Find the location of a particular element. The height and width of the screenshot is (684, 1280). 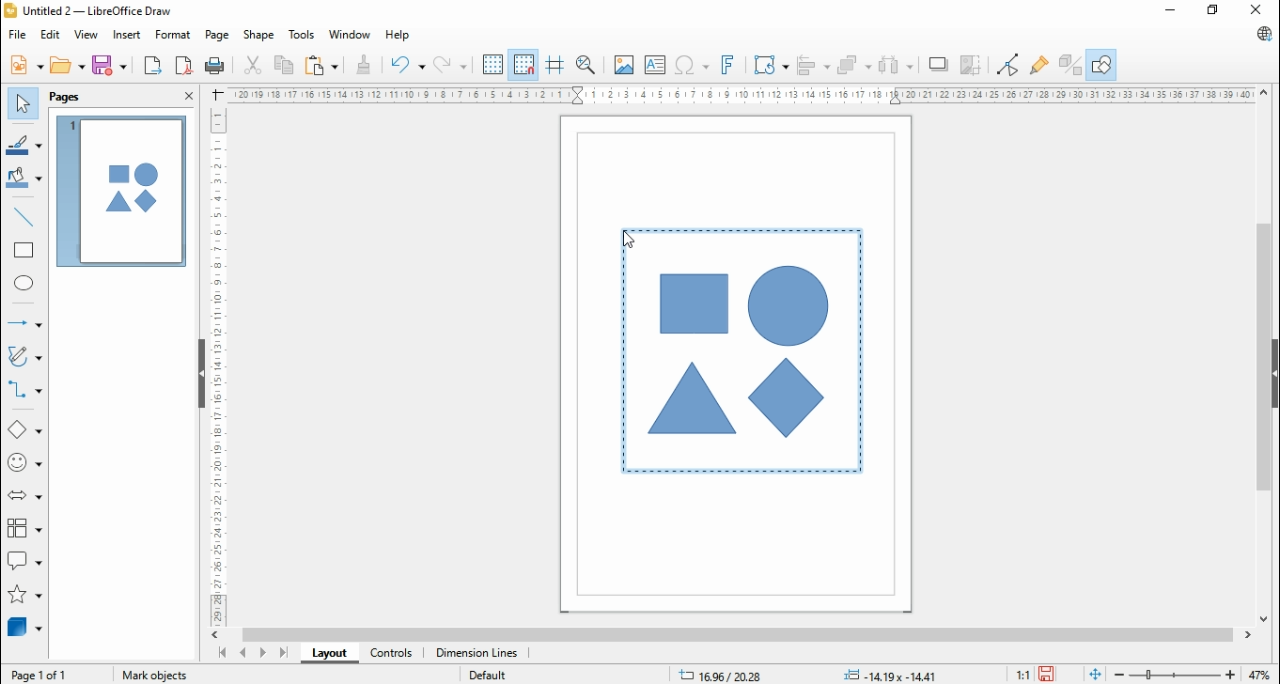

mouse pointer is located at coordinates (627, 237).